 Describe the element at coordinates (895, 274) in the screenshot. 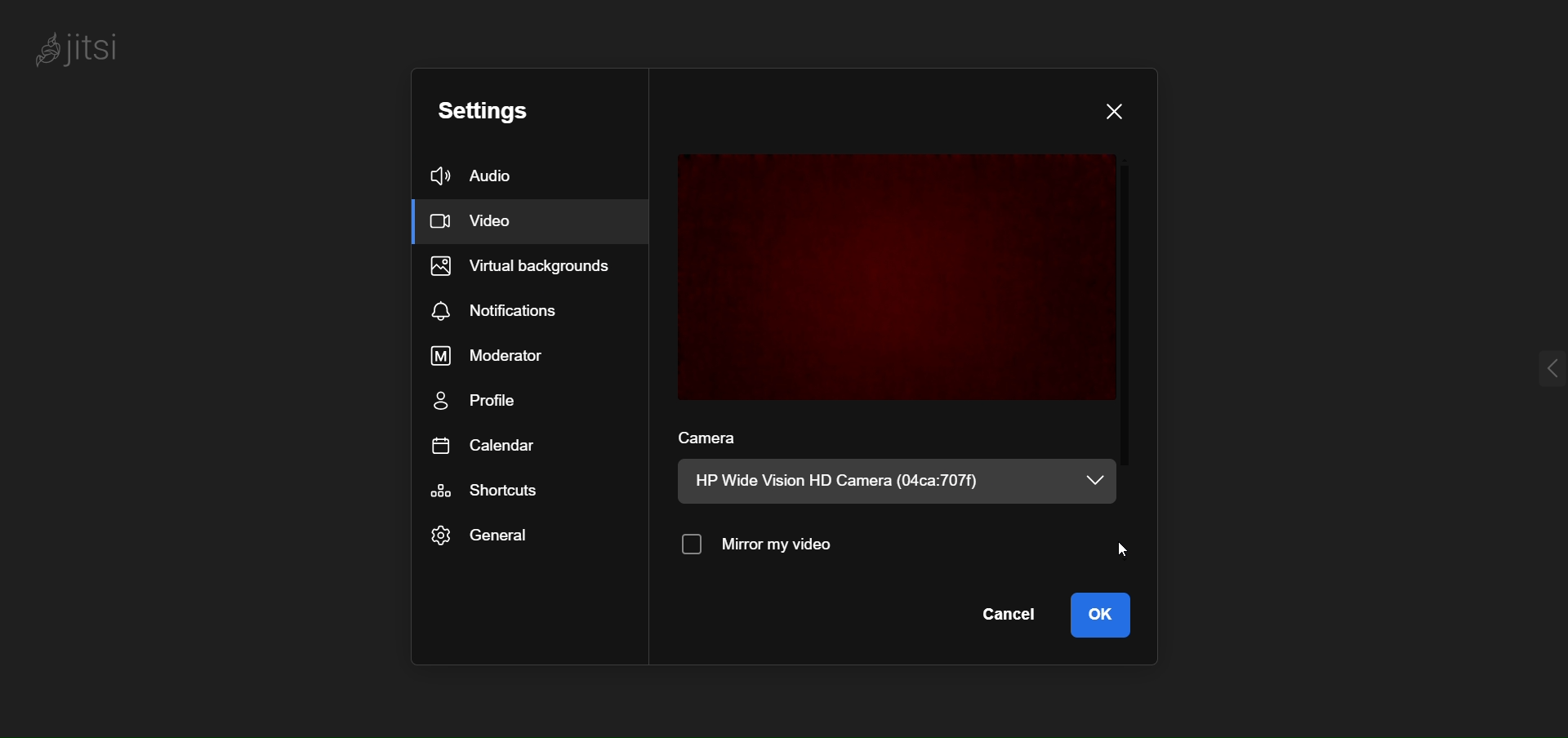

I see `preview` at that location.